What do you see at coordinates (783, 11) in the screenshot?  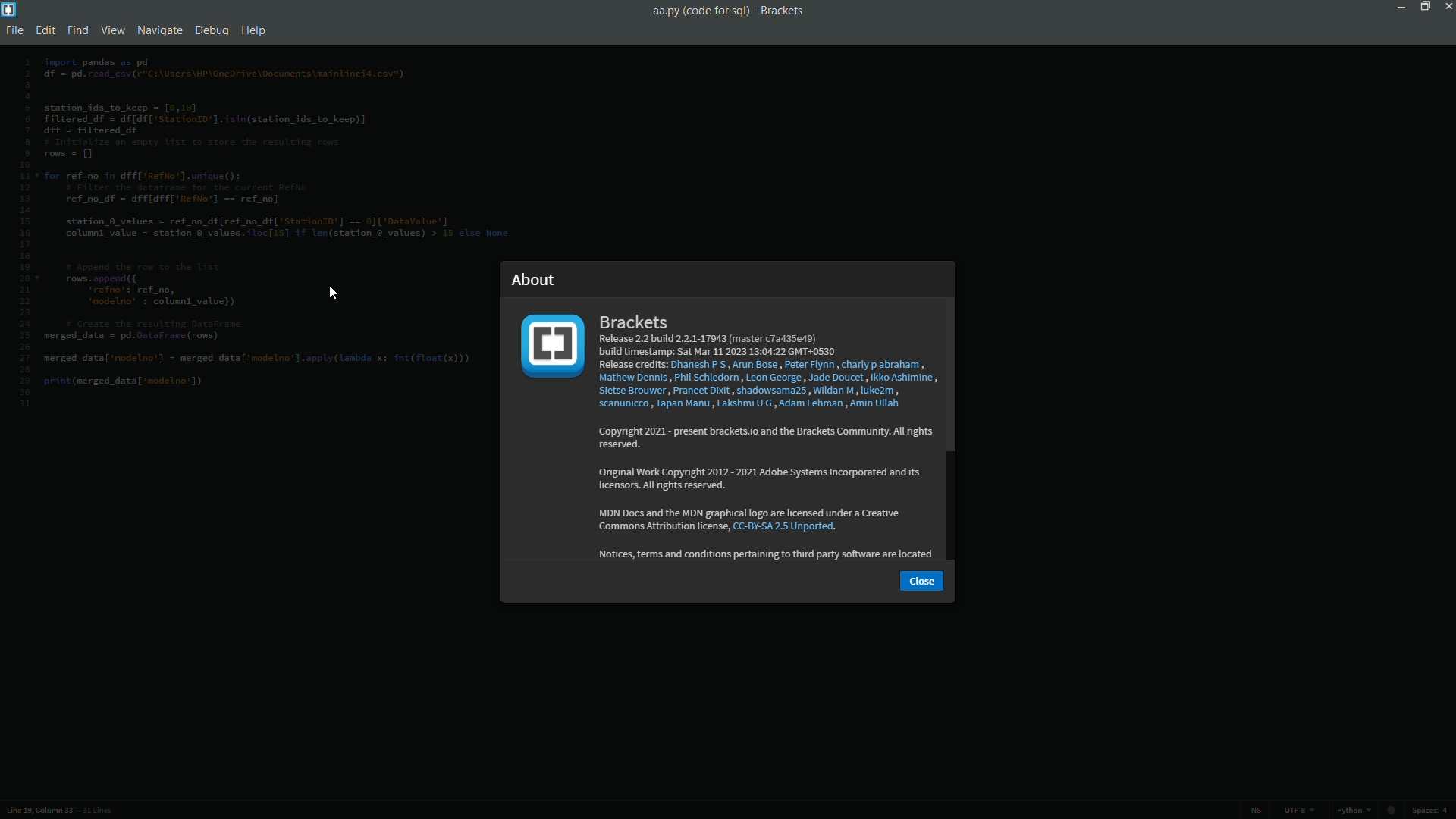 I see `app name` at bounding box center [783, 11].